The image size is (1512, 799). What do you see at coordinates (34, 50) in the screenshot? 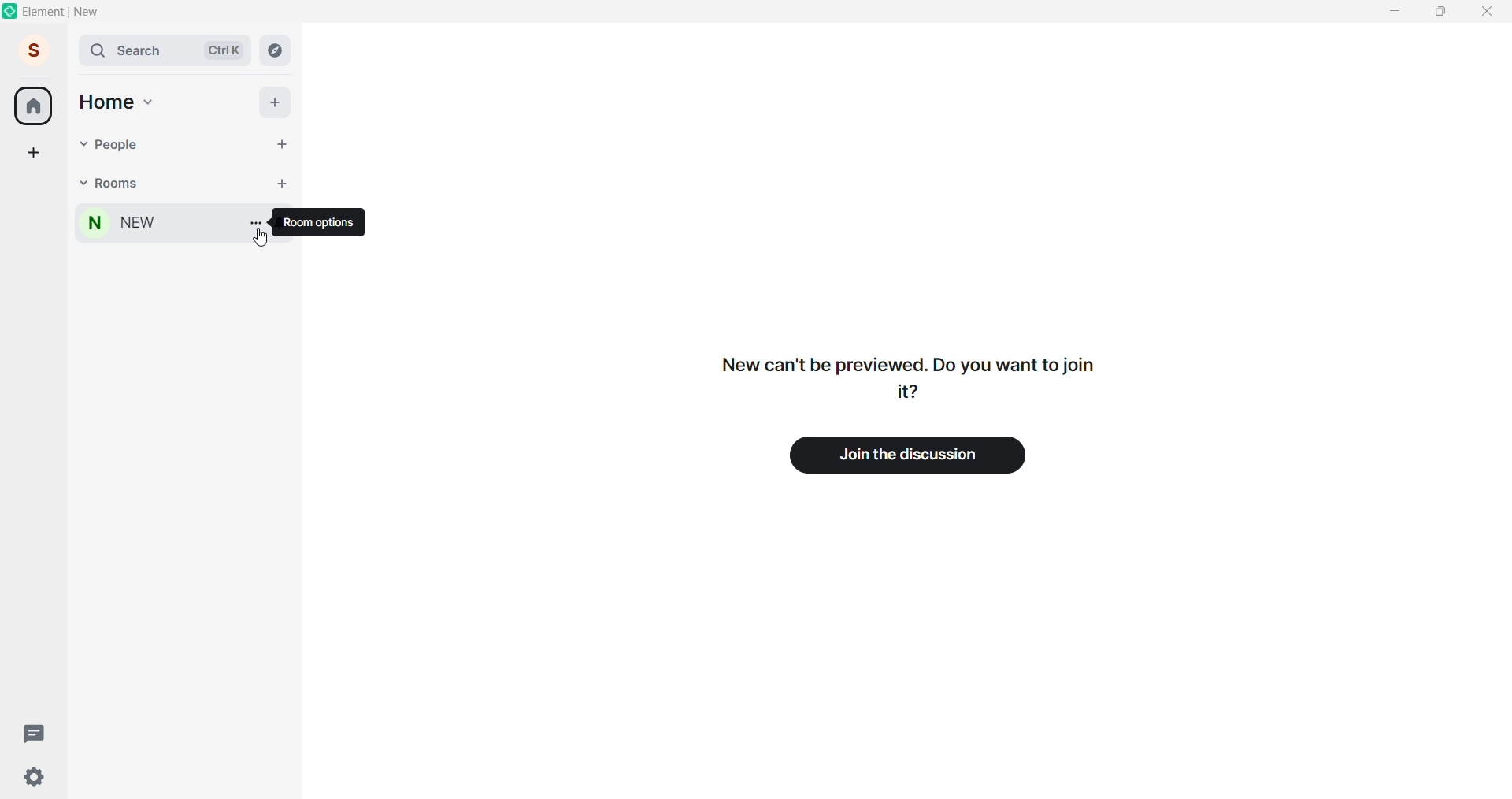
I see `user` at bounding box center [34, 50].